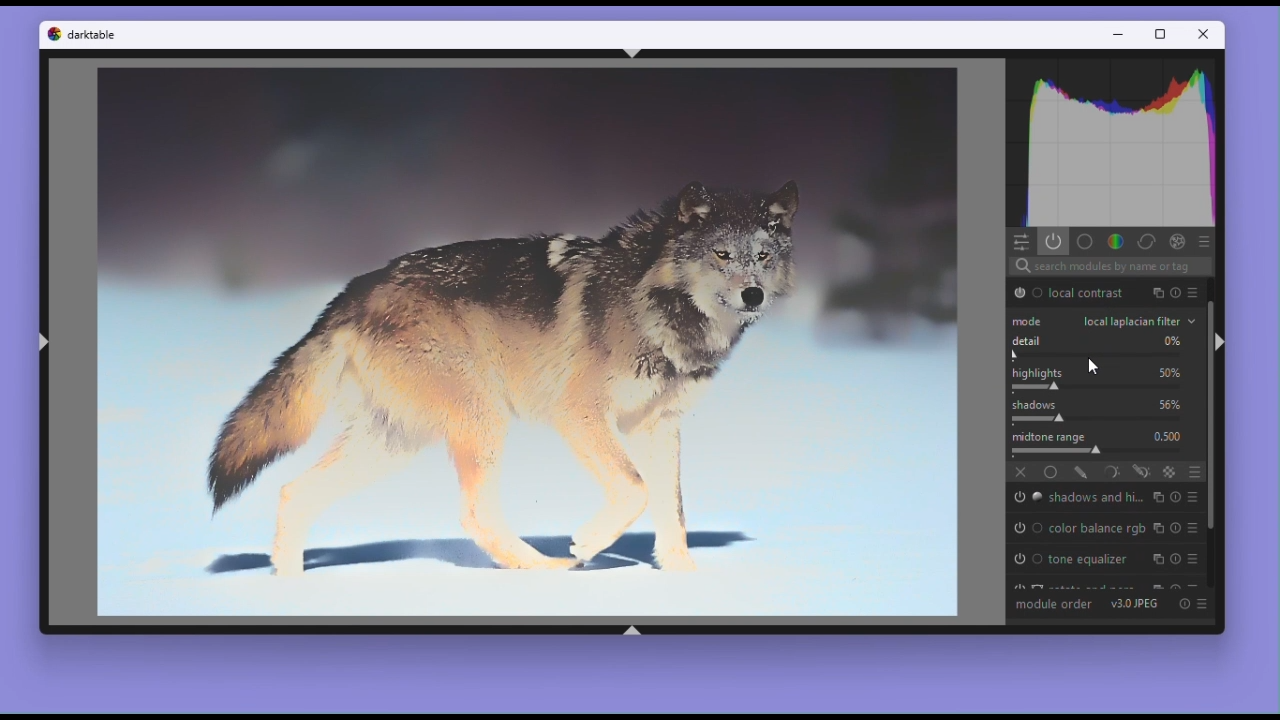 The image size is (1280, 720). What do you see at coordinates (1176, 528) in the screenshot?
I see `` at bounding box center [1176, 528].